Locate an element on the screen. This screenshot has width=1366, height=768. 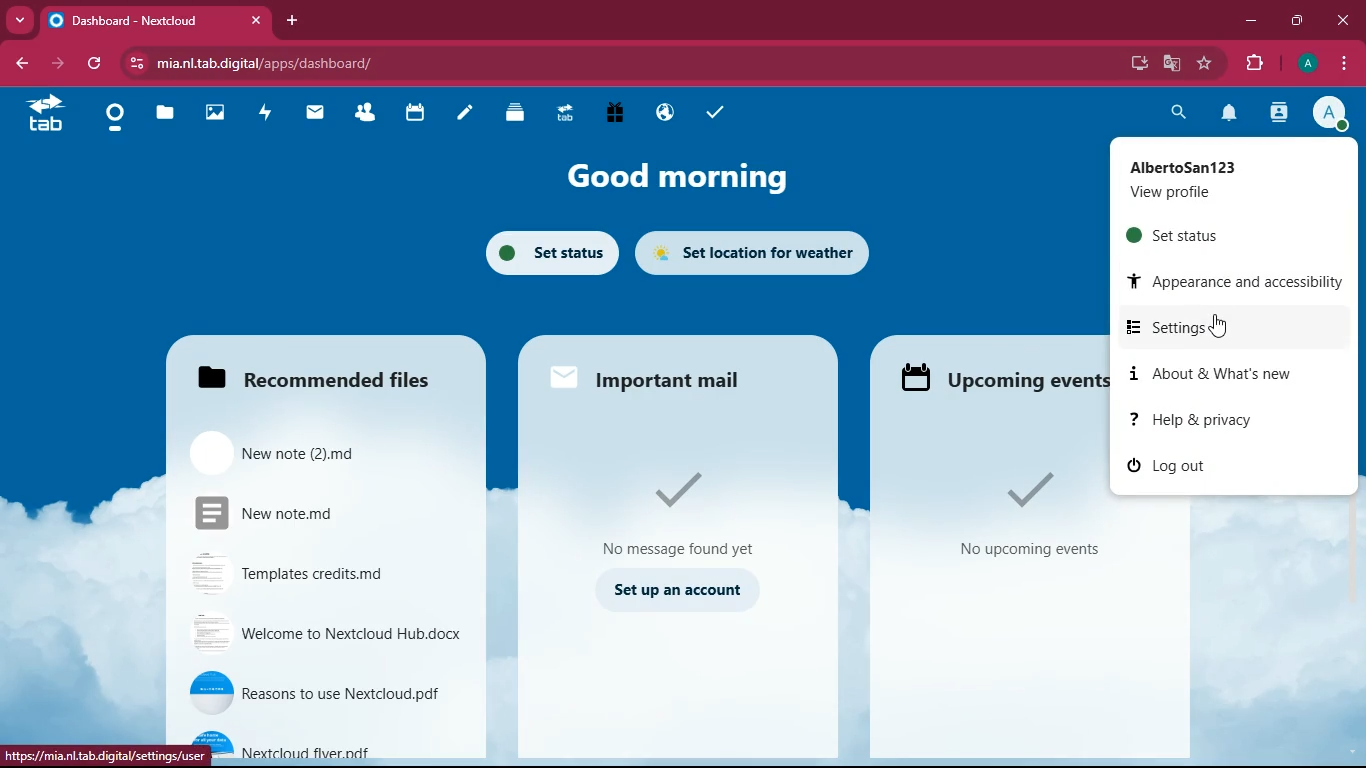
help & privacy is located at coordinates (1231, 420).